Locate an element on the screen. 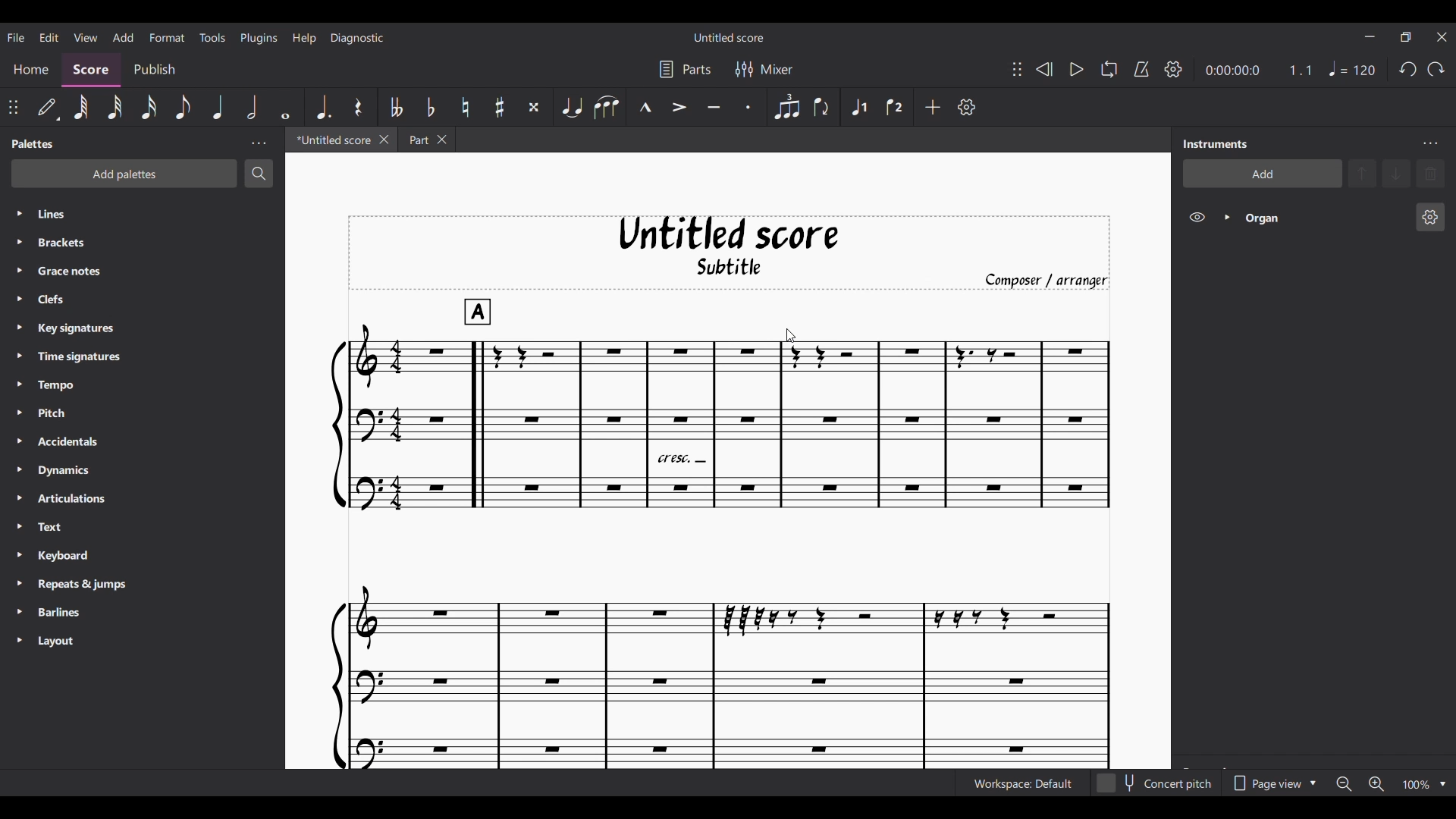 The width and height of the screenshot is (1456, 819). Flip direction is located at coordinates (821, 108).